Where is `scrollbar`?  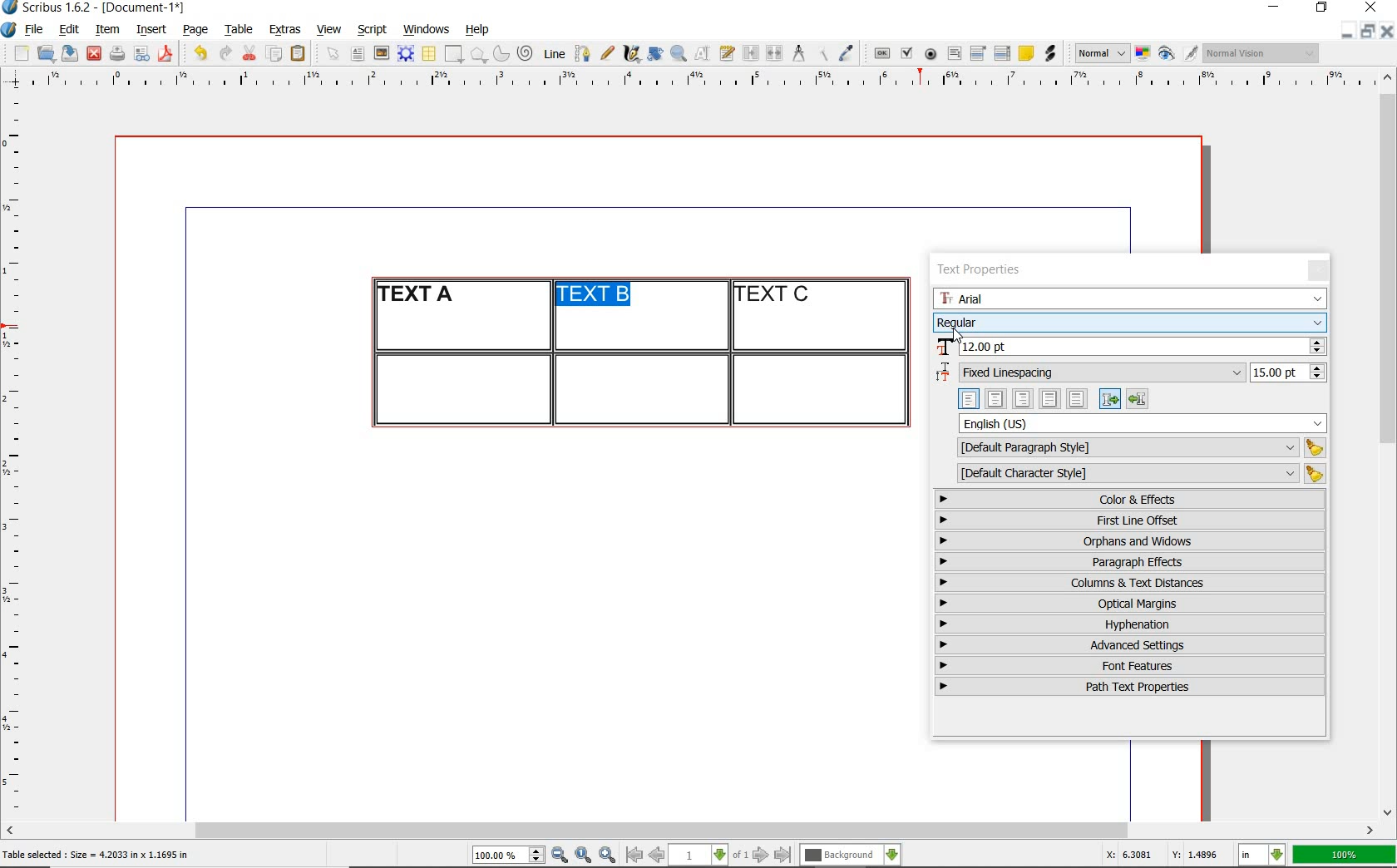 scrollbar is located at coordinates (1389, 443).